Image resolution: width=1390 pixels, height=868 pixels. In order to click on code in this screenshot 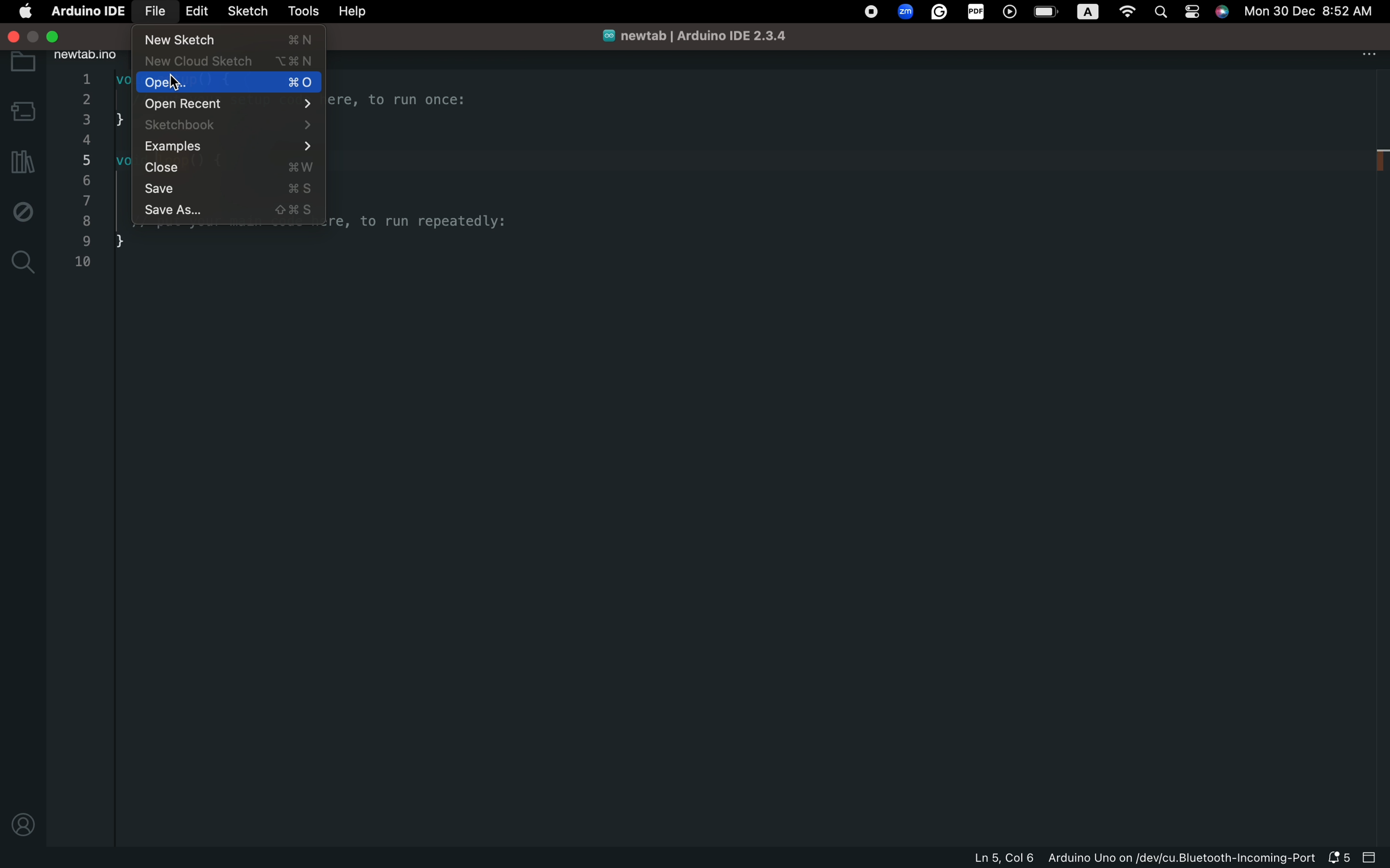, I will do `click(438, 158)`.